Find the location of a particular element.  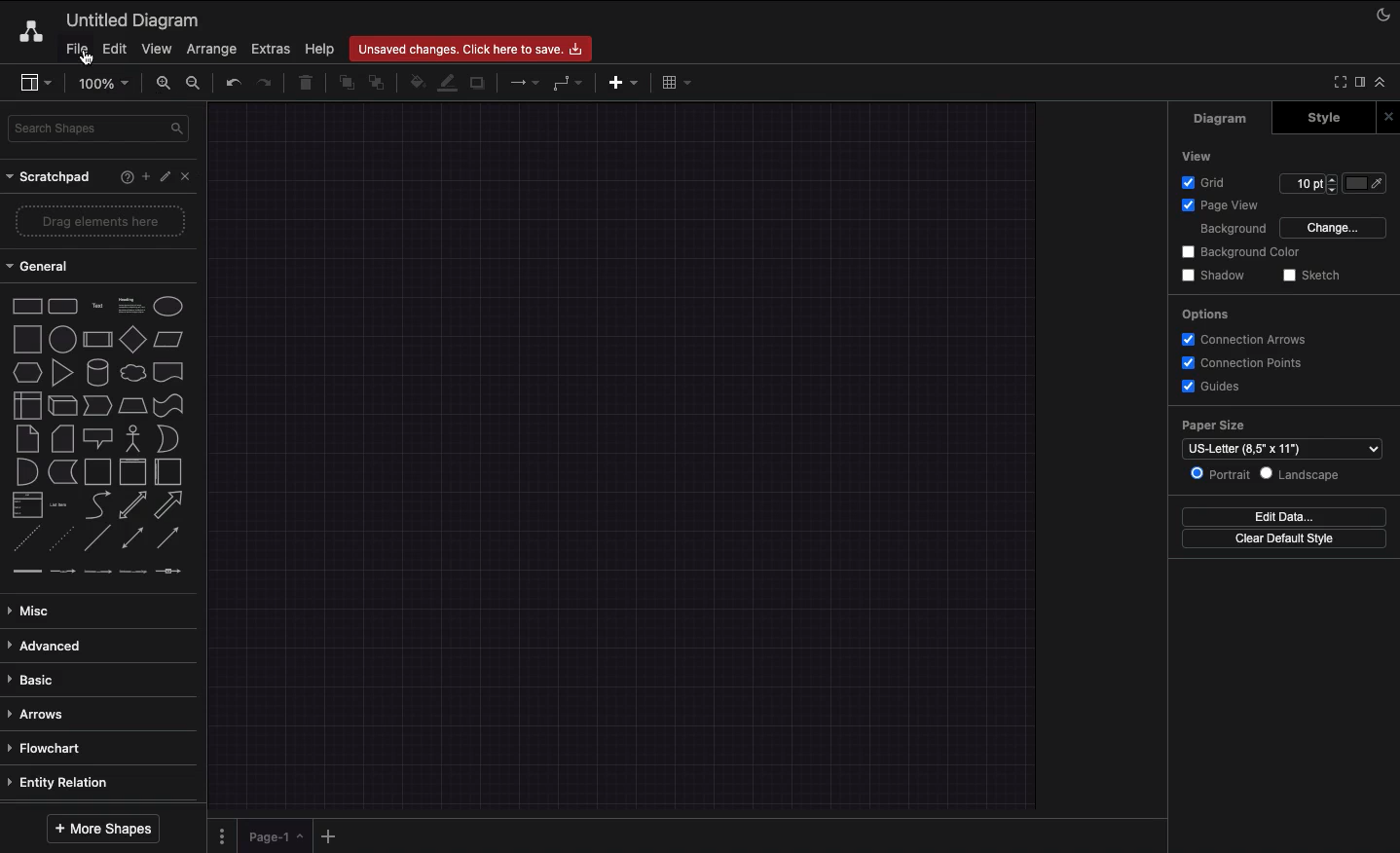

Card is located at coordinates (62, 438).